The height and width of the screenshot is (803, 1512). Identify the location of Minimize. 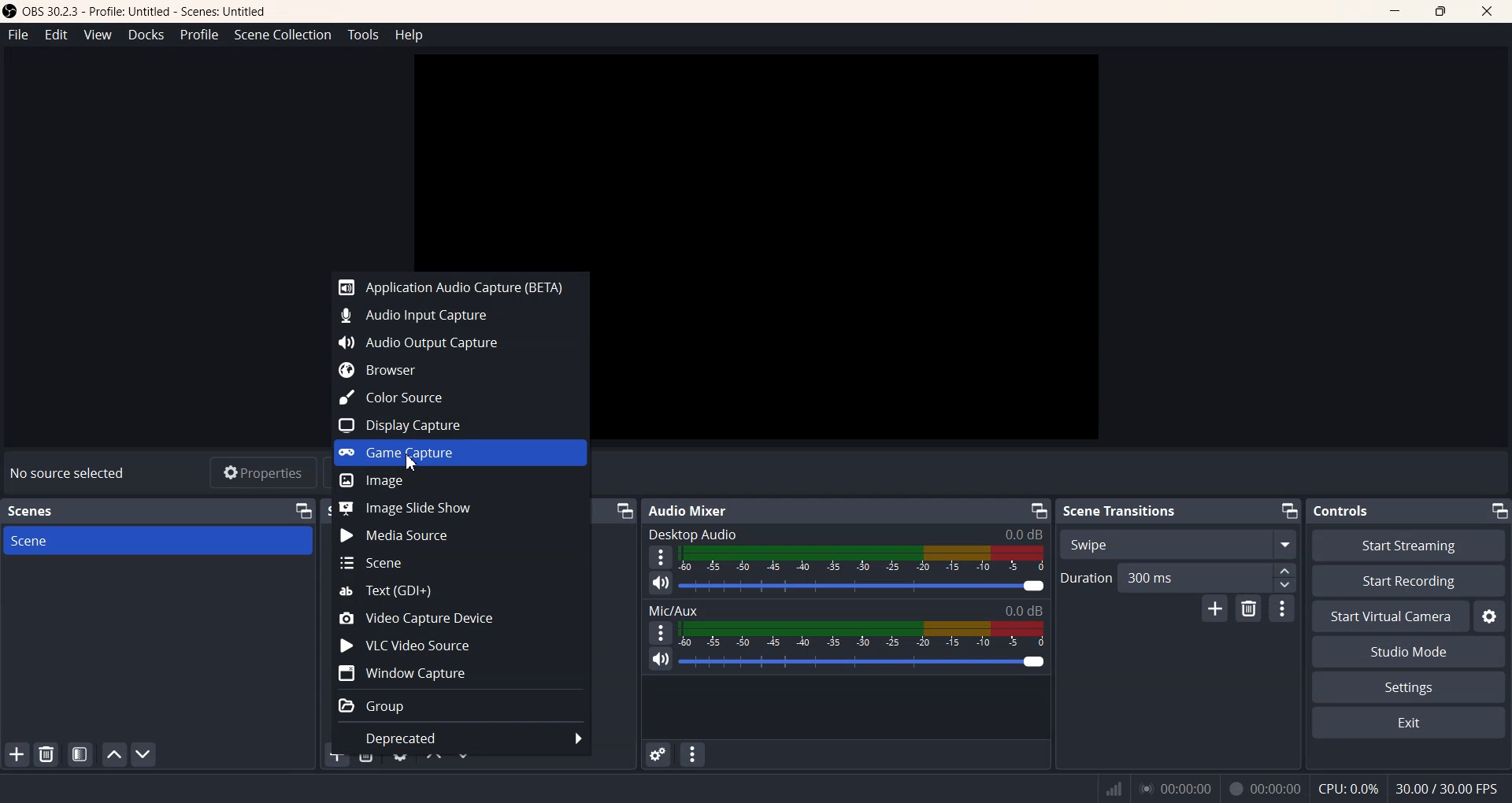
(624, 511).